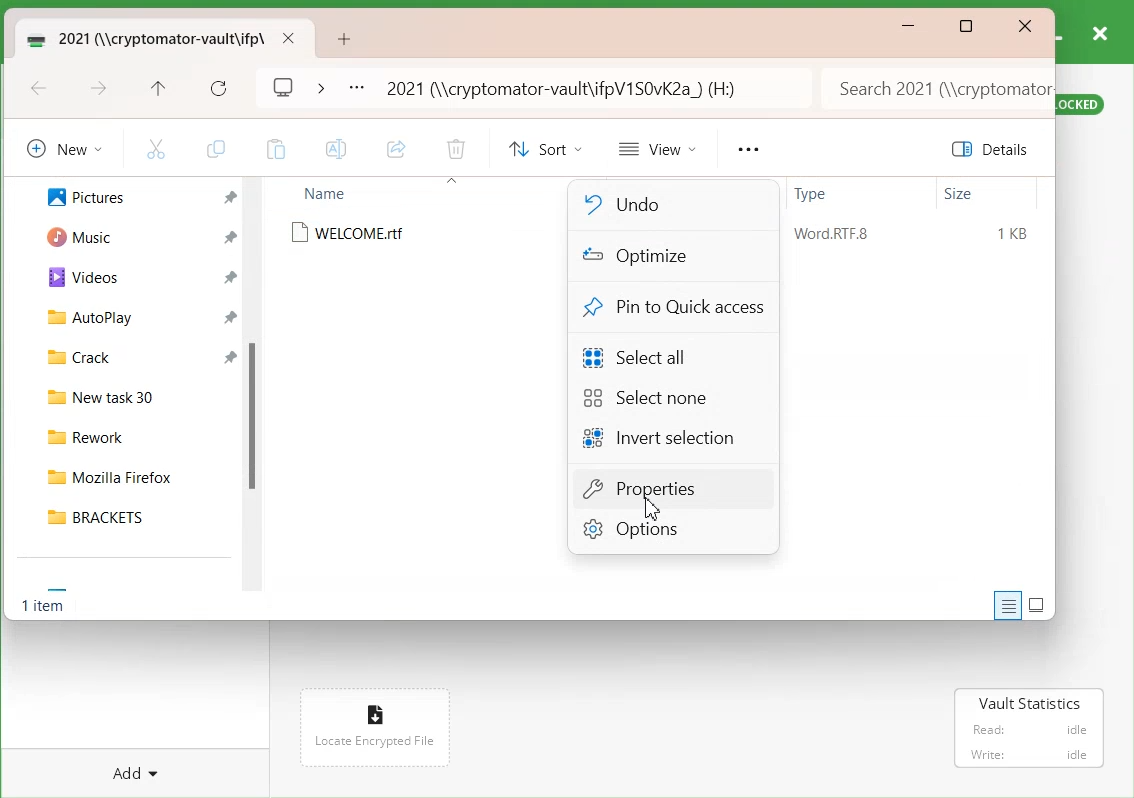 This screenshot has height=798, width=1134. What do you see at coordinates (659, 148) in the screenshot?
I see `View` at bounding box center [659, 148].